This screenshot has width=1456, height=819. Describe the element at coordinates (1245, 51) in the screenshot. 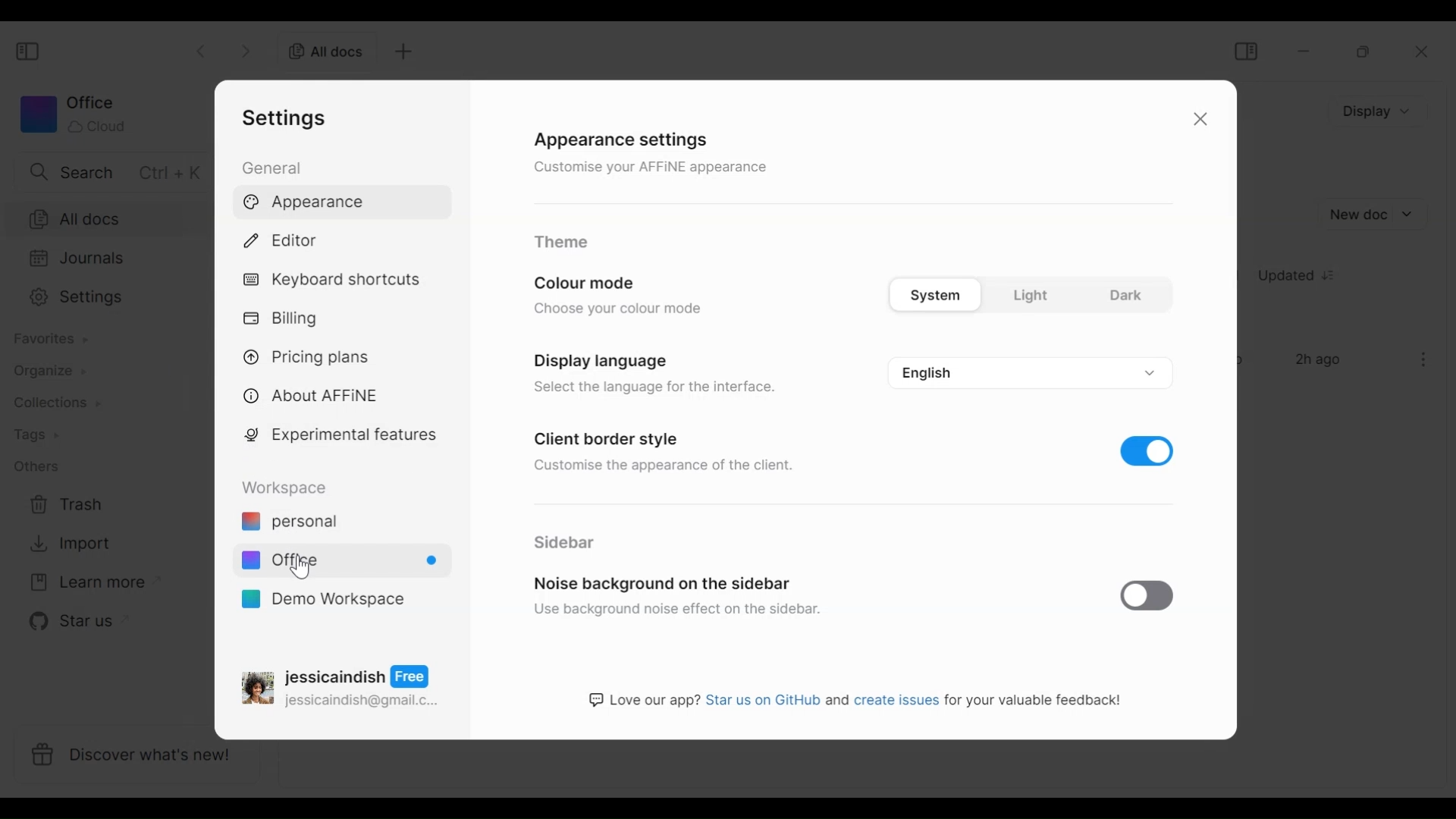

I see `Show/Hide Sidebar` at that location.